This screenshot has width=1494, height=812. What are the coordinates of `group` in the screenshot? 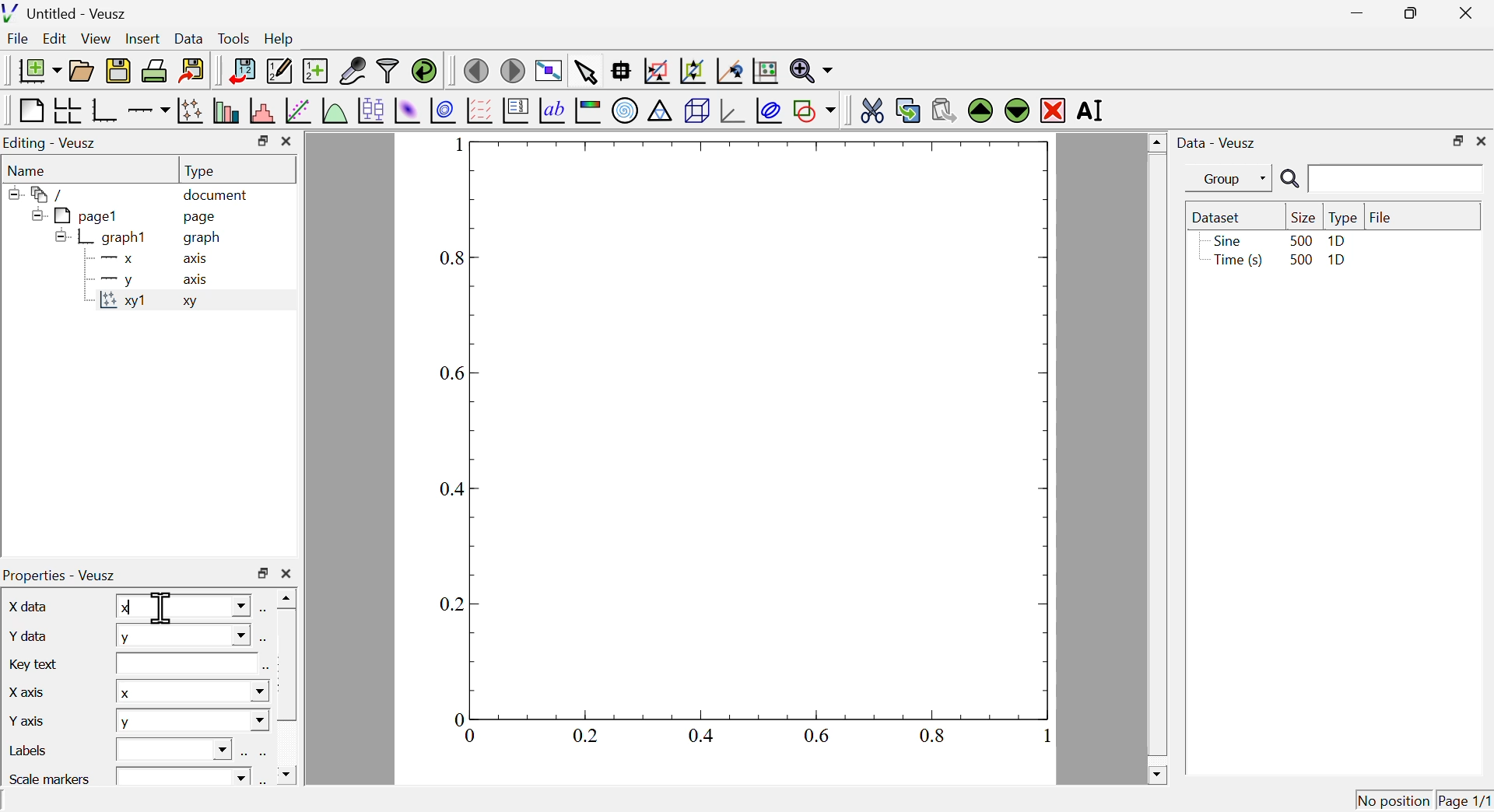 It's located at (1221, 179).